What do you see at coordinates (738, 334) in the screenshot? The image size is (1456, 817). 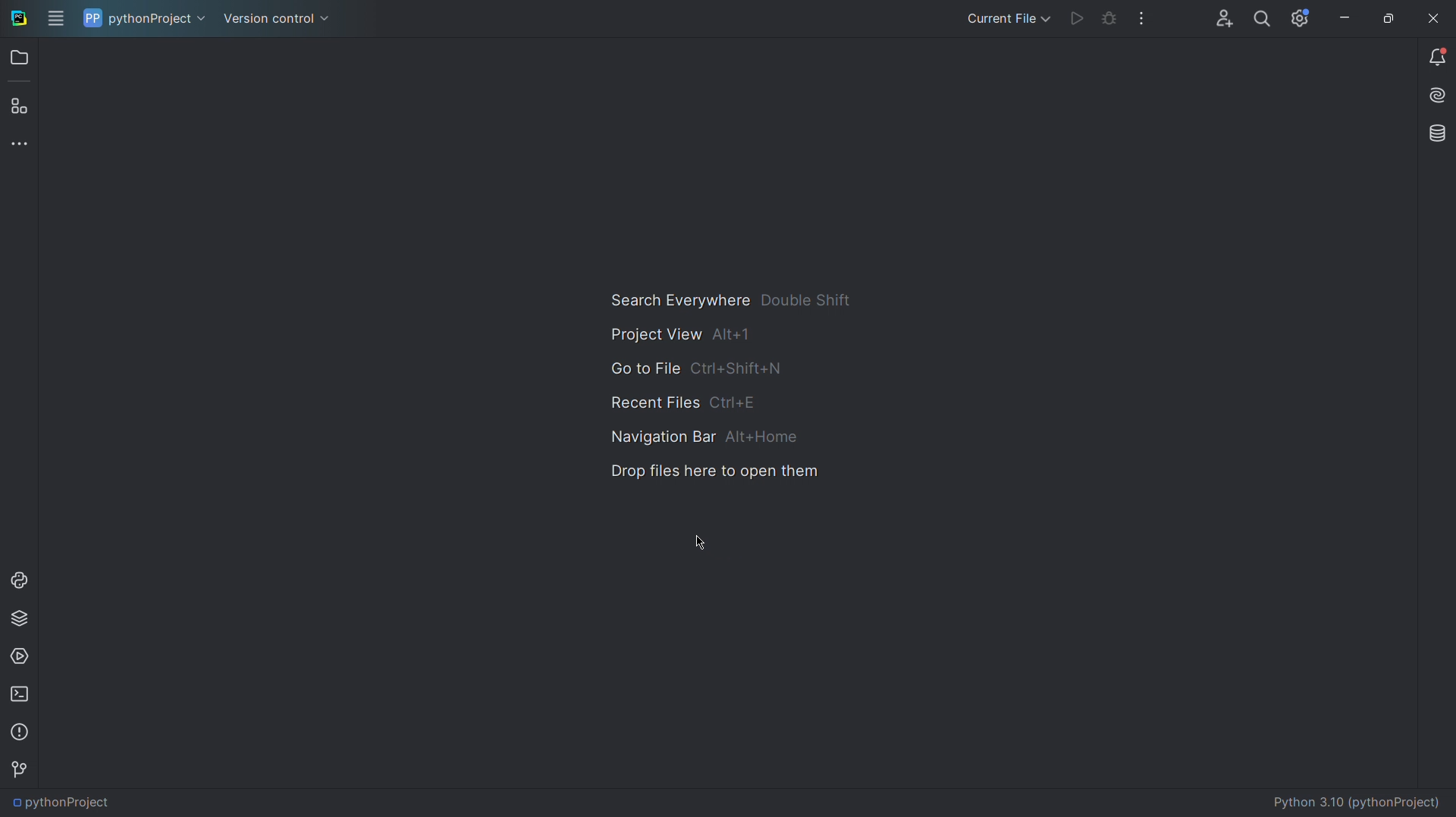 I see `Project View Alt+1` at bounding box center [738, 334].